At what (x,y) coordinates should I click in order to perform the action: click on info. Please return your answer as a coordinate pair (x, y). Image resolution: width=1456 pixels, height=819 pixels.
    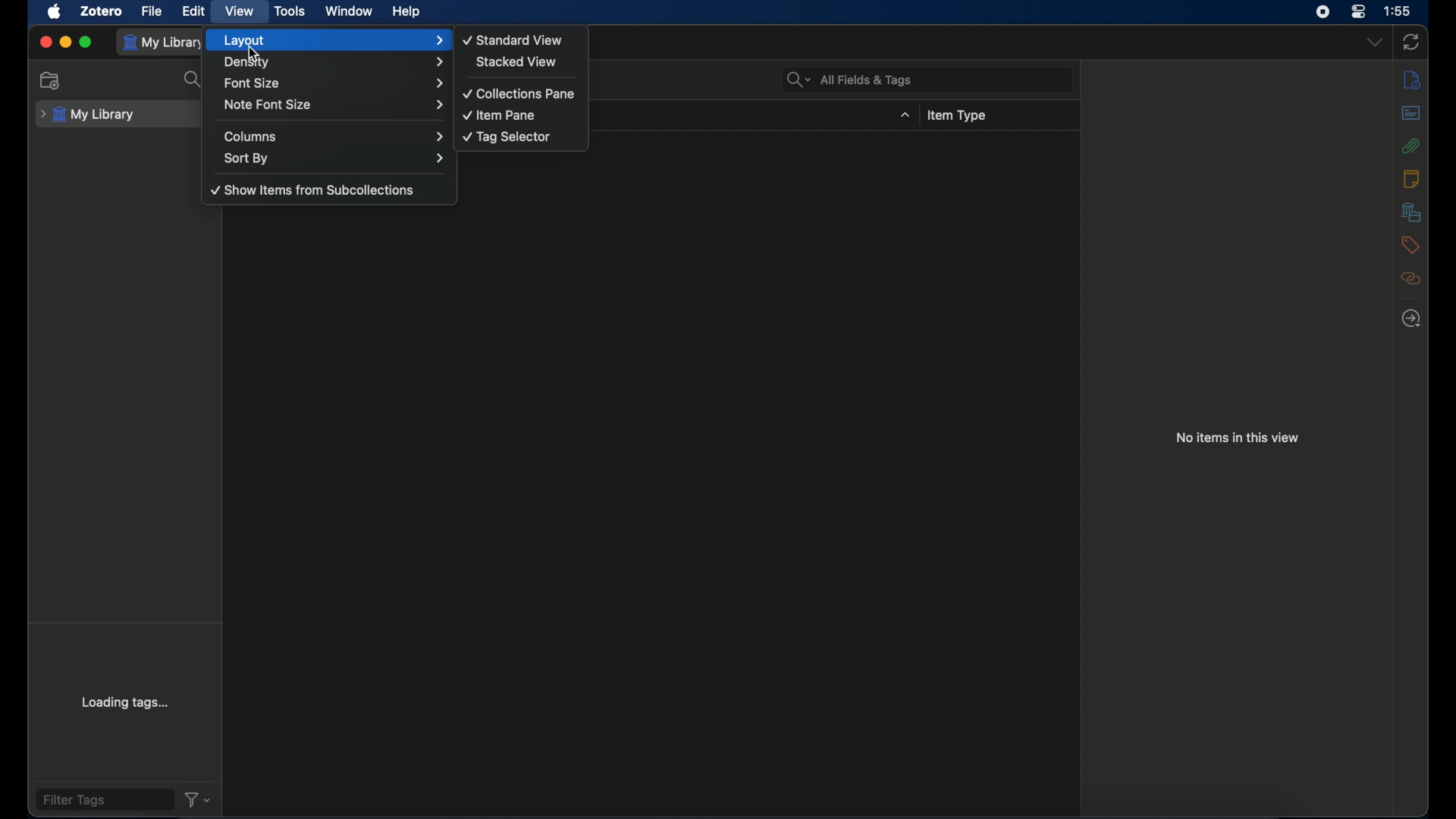
    Looking at the image, I should click on (1411, 79).